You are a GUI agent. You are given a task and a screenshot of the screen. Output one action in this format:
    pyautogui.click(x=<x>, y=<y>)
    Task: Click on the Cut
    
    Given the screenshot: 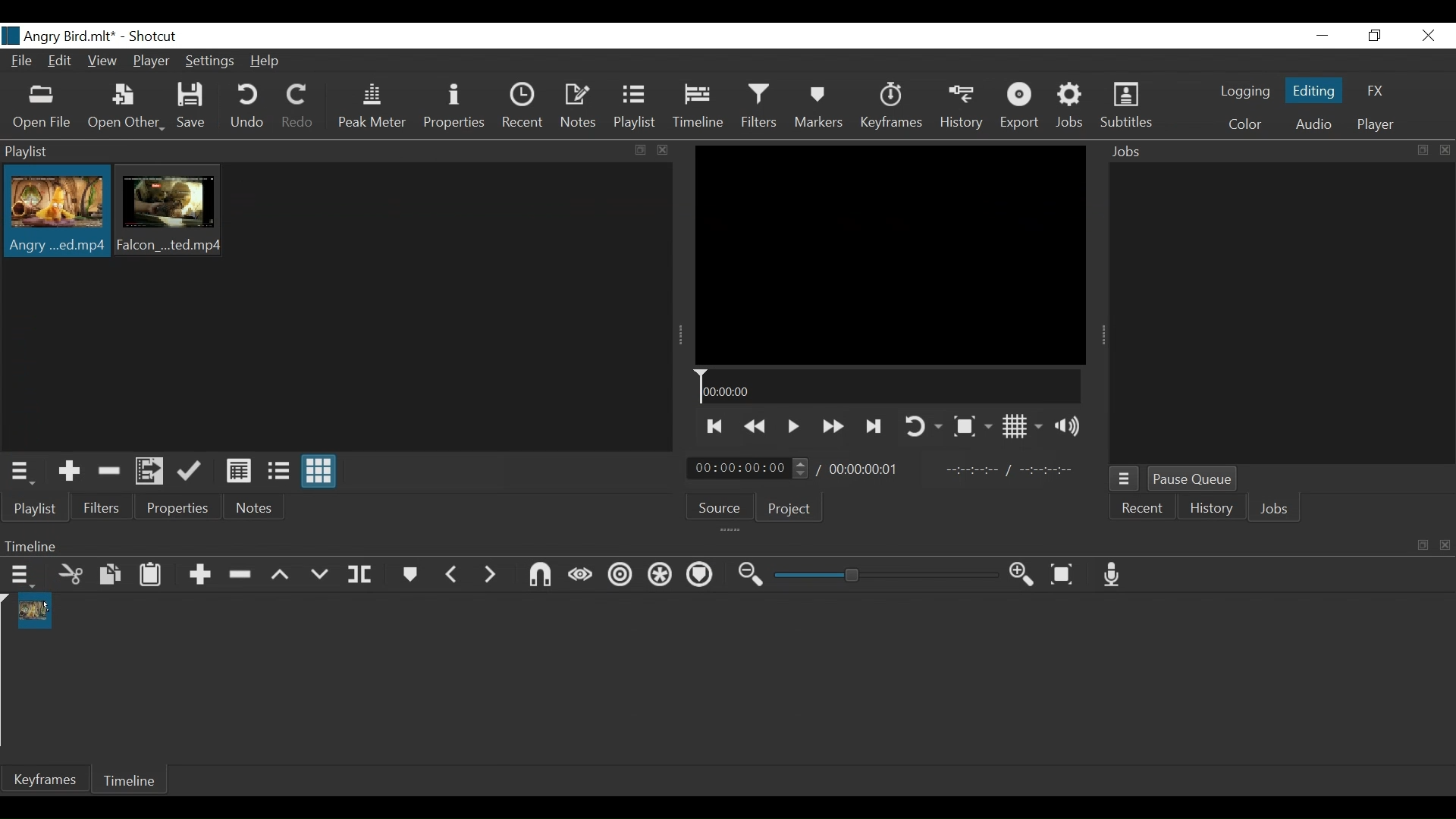 What is the action you would take?
    pyautogui.click(x=71, y=576)
    